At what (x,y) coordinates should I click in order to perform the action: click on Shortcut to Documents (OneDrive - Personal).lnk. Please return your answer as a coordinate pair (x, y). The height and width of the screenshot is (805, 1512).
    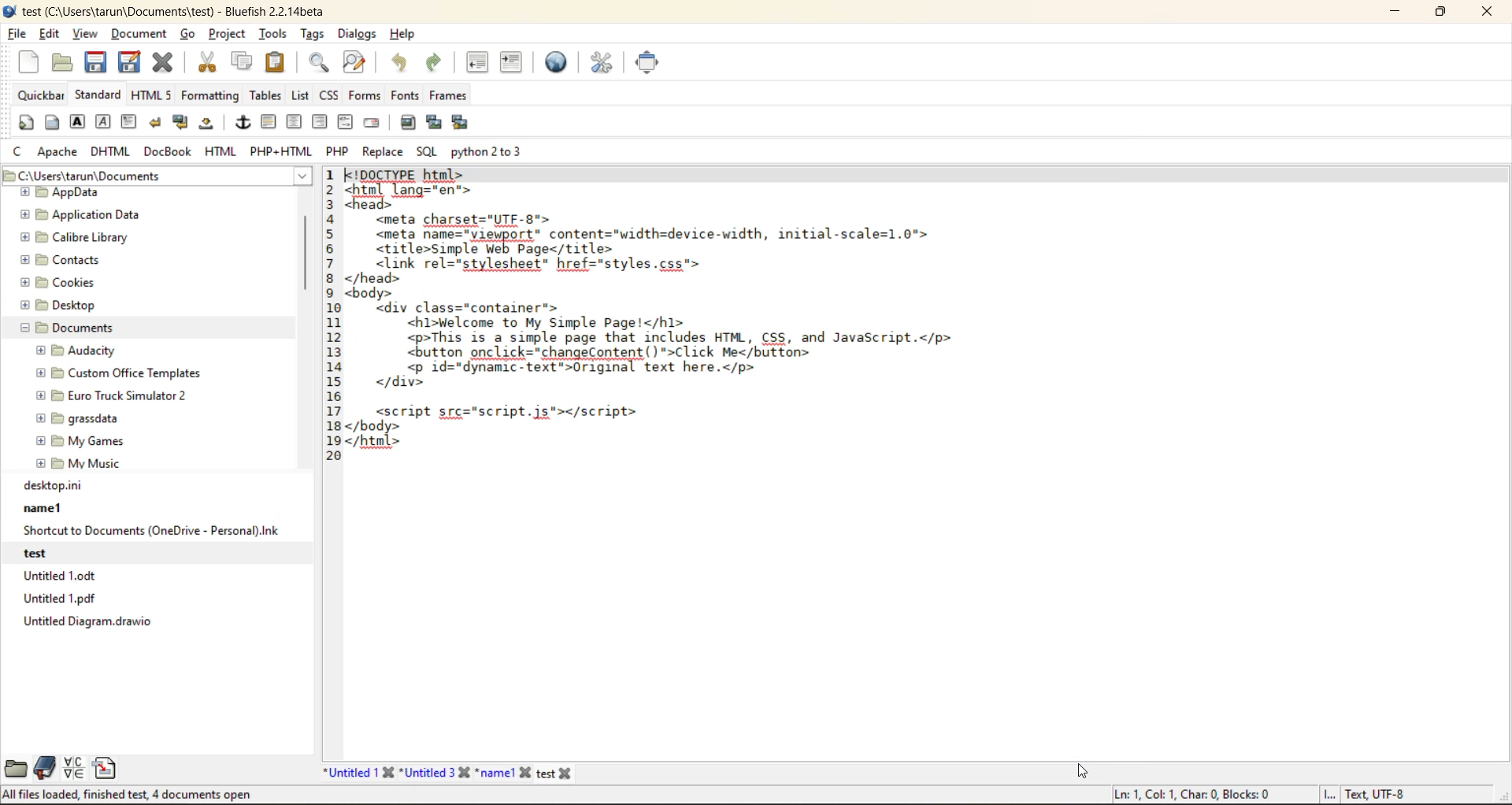
    Looking at the image, I should click on (150, 531).